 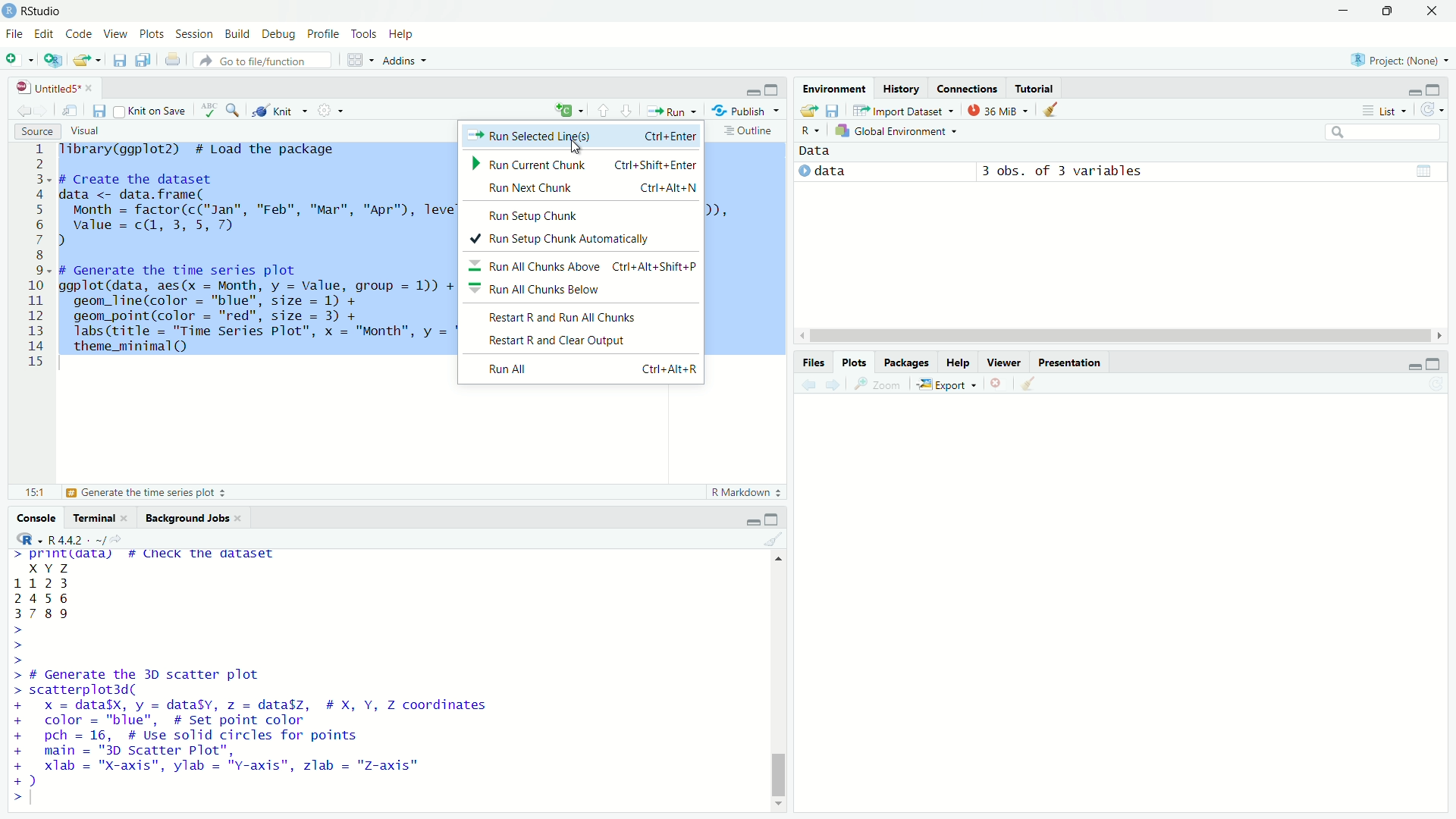 What do you see at coordinates (1438, 334) in the screenshot?
I see `move right` at bounding box center [1438, 334].